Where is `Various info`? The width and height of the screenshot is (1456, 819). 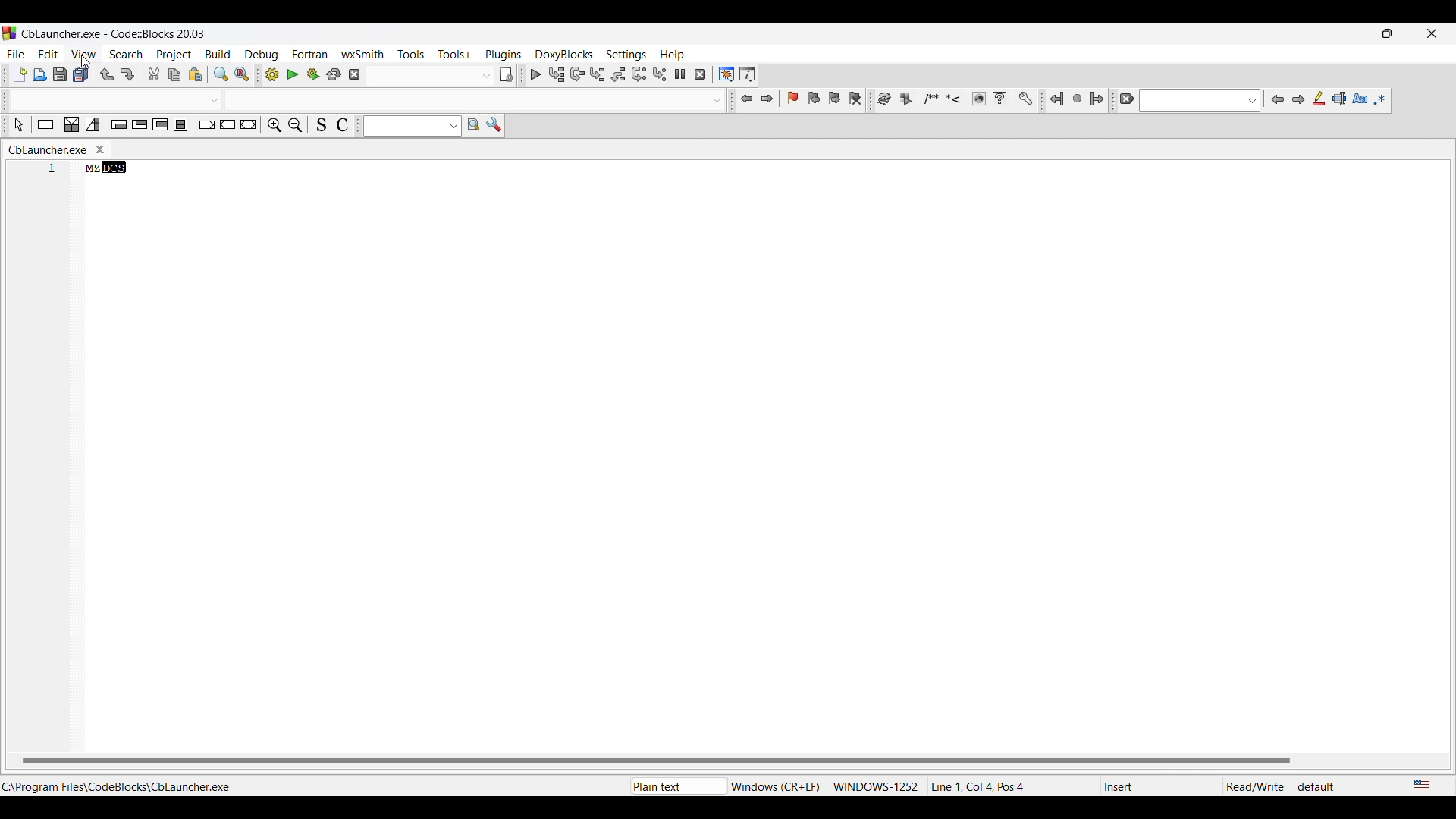
Various info is located at coordinates (747, 74).